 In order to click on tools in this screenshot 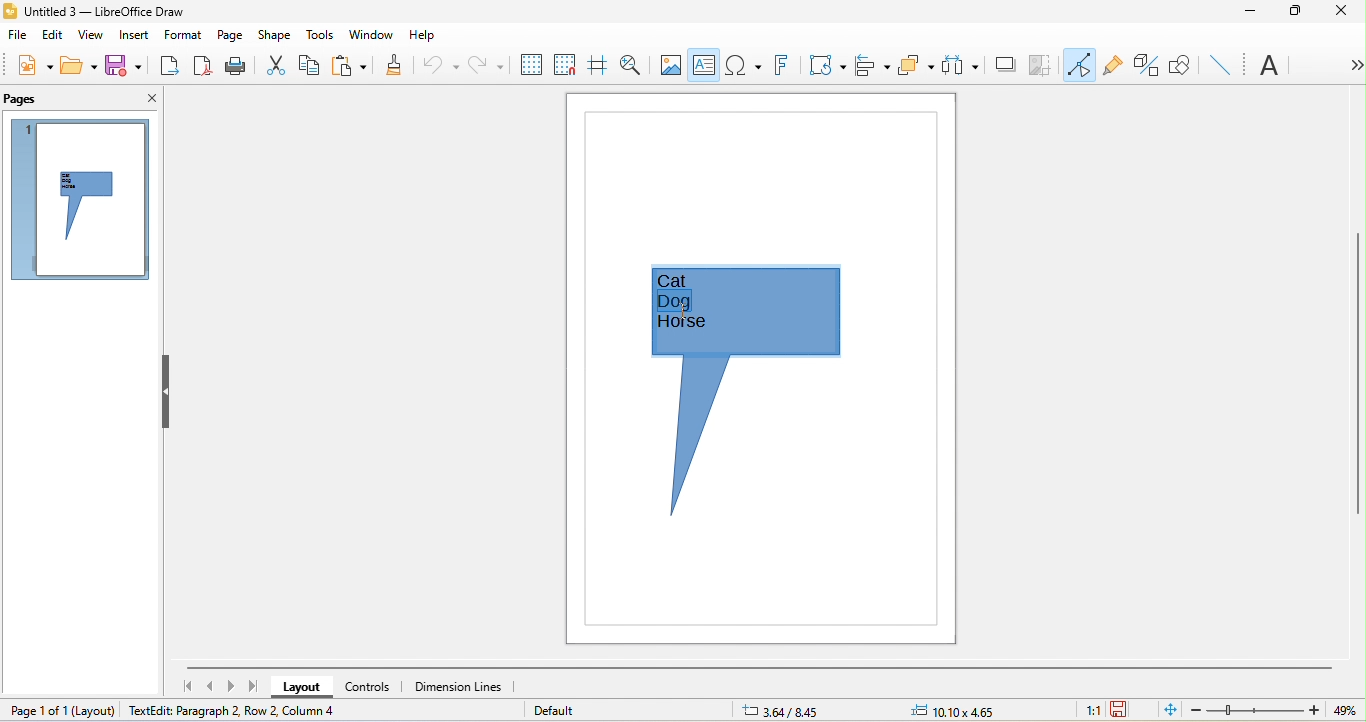, I will do `click(323, 35)`.